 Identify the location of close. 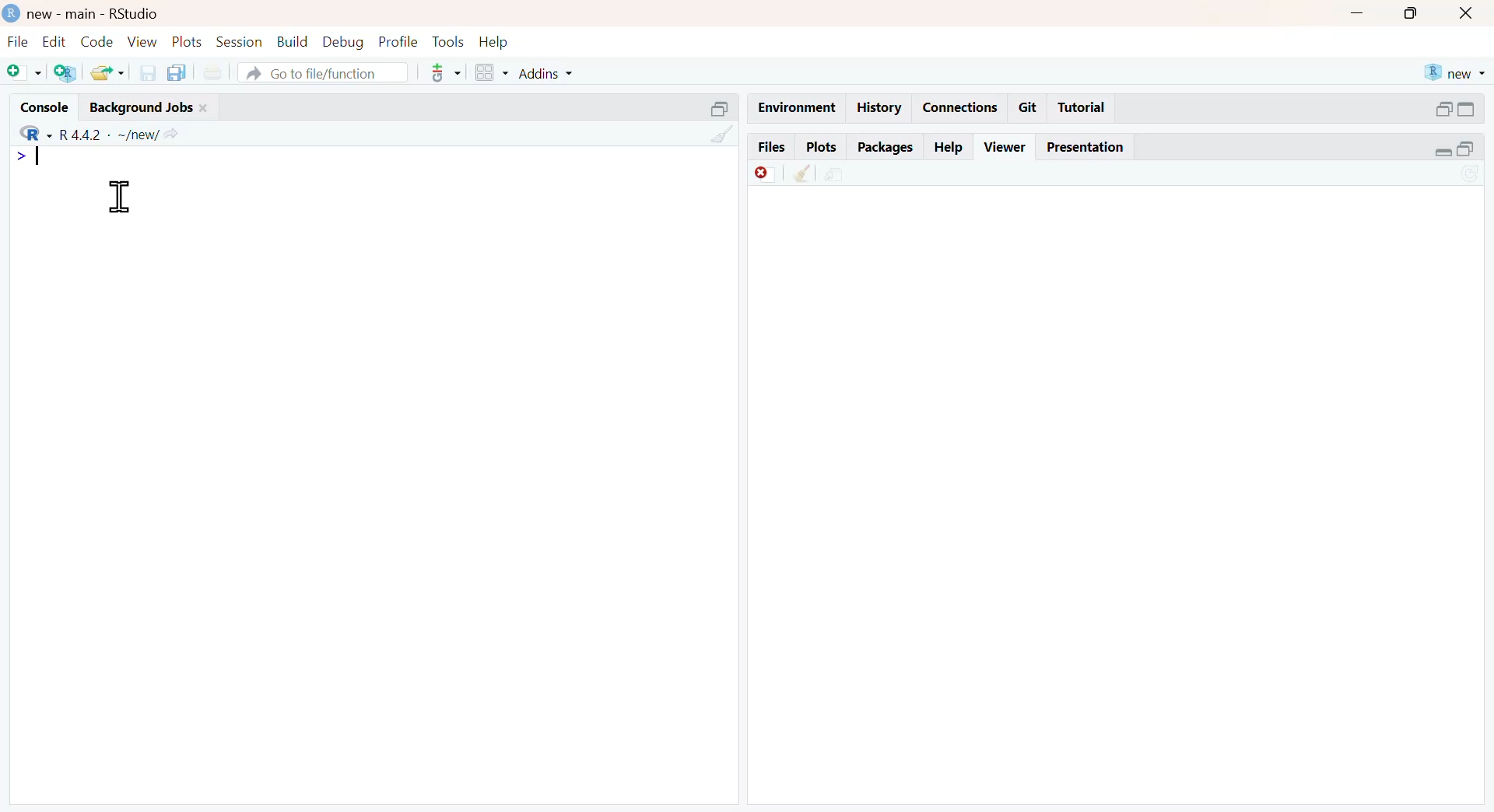
(205, 108).